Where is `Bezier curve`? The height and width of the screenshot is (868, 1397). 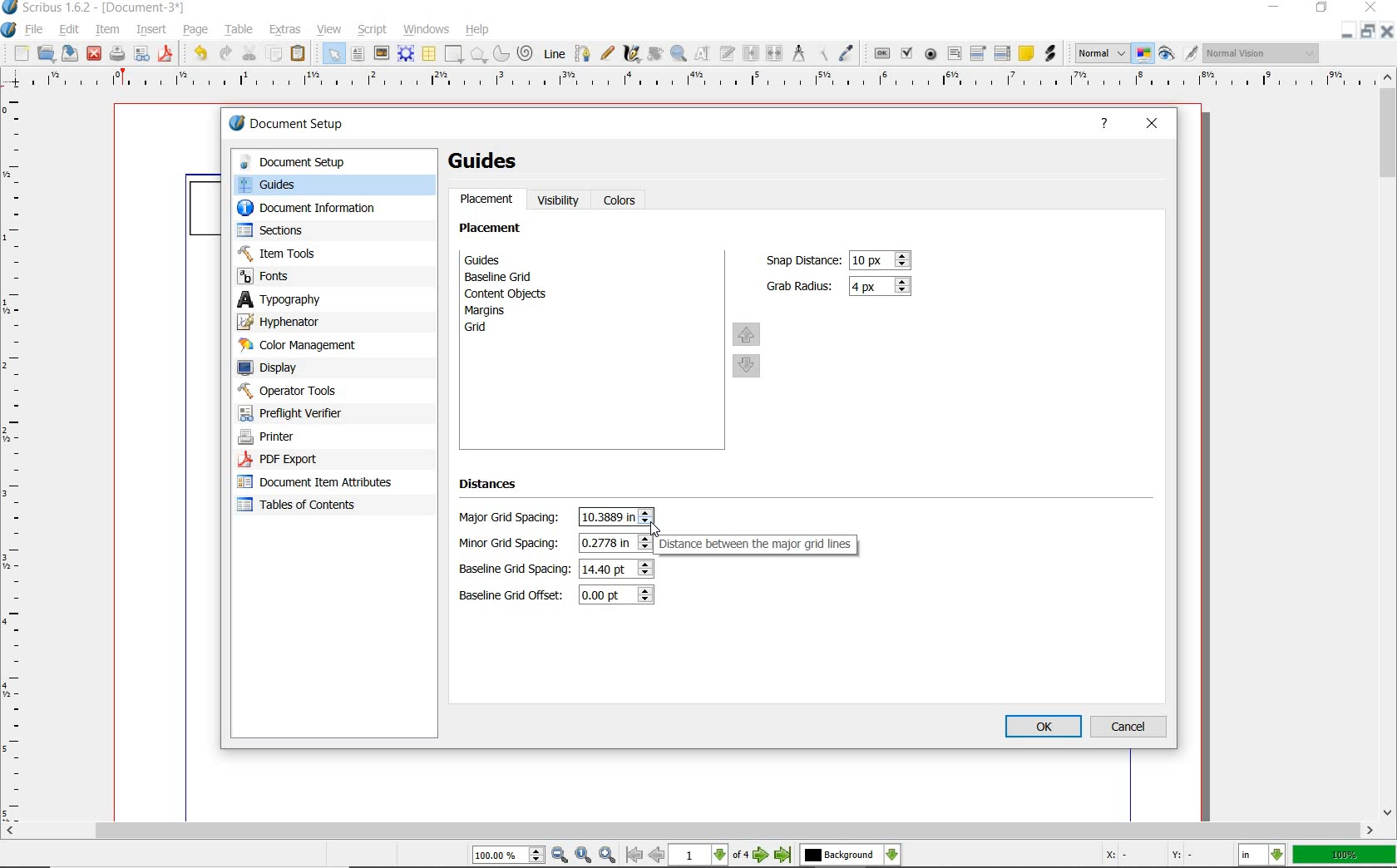
Bezier curve is located at coordinates (582, 53).